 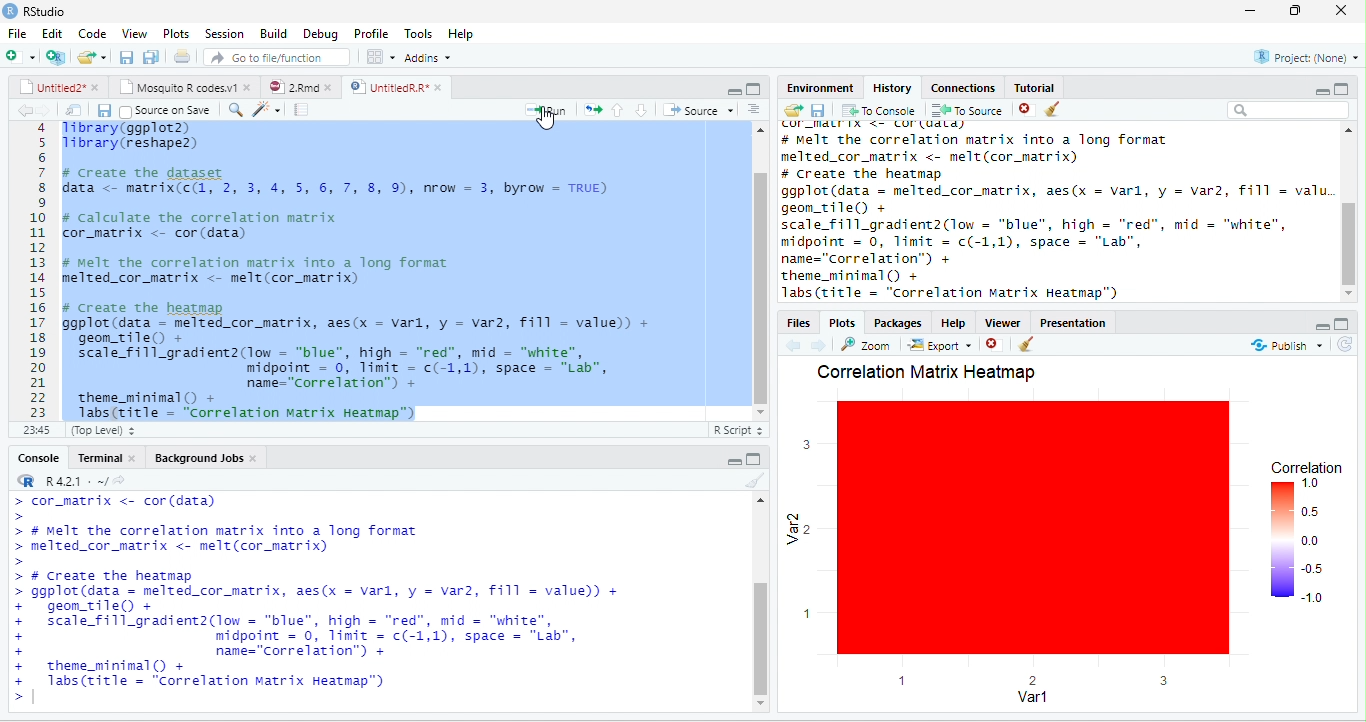 What do you see at coordinates (370, 33) in the screenshot?
I see `profile` at bounding box center [370, 33].